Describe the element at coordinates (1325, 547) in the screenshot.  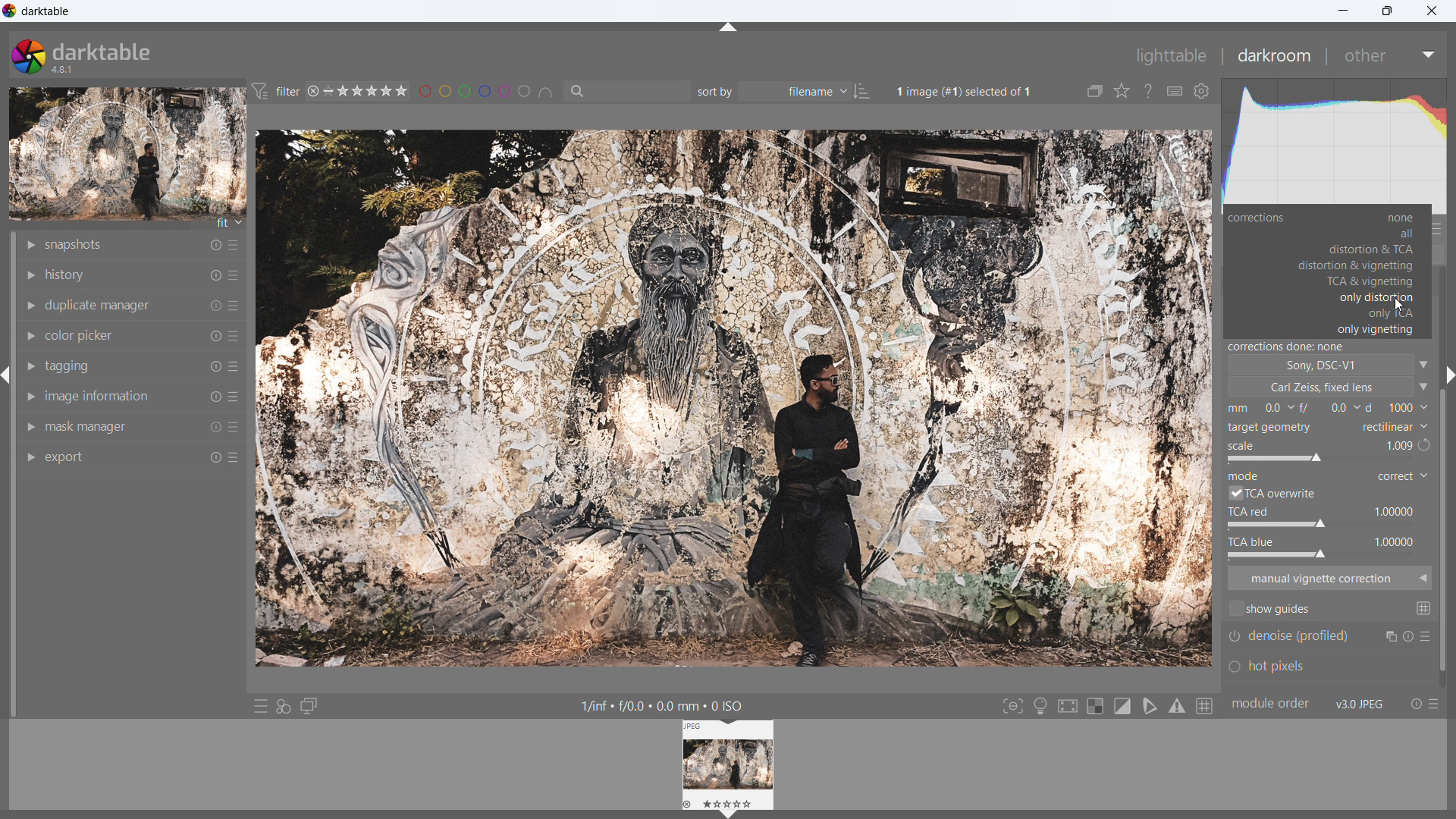
I see `tca blue` at that location.